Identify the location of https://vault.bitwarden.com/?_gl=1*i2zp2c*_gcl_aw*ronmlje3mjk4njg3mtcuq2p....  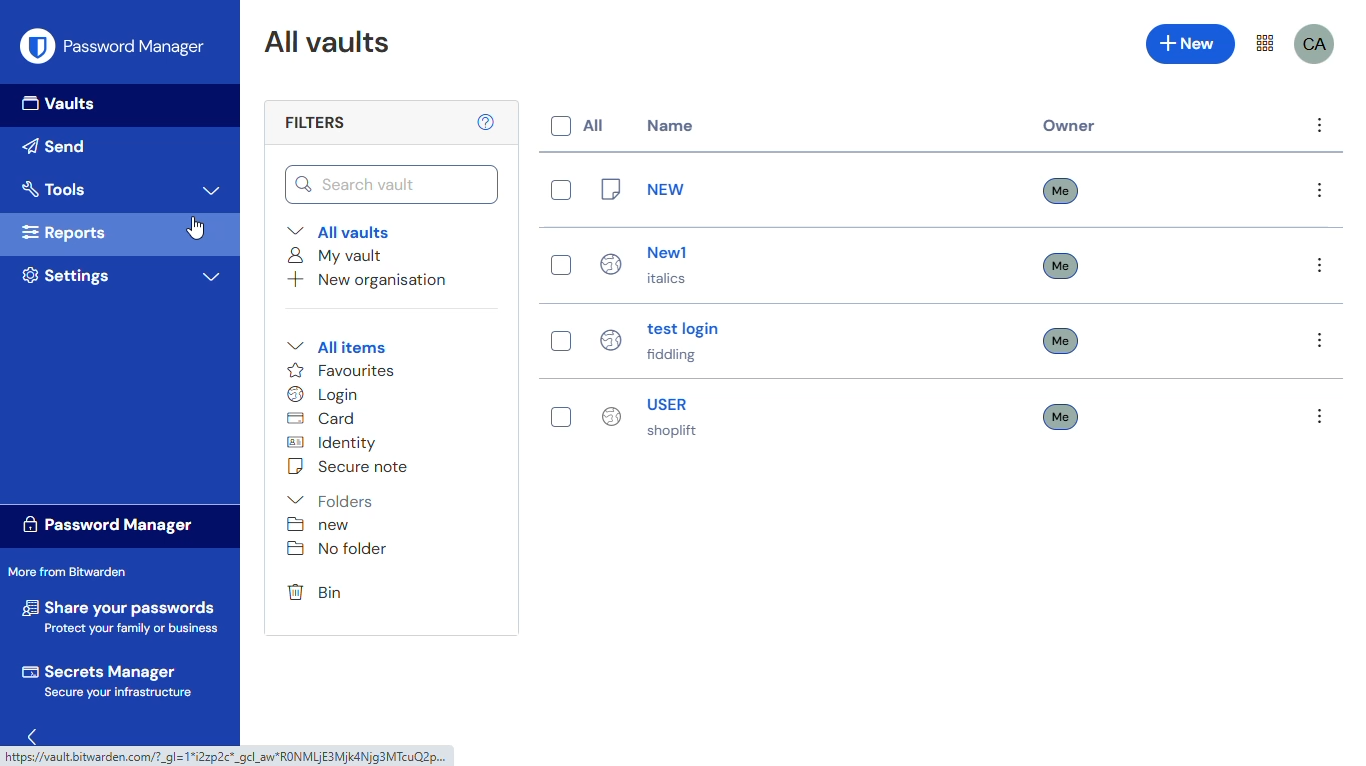
(229, 758).